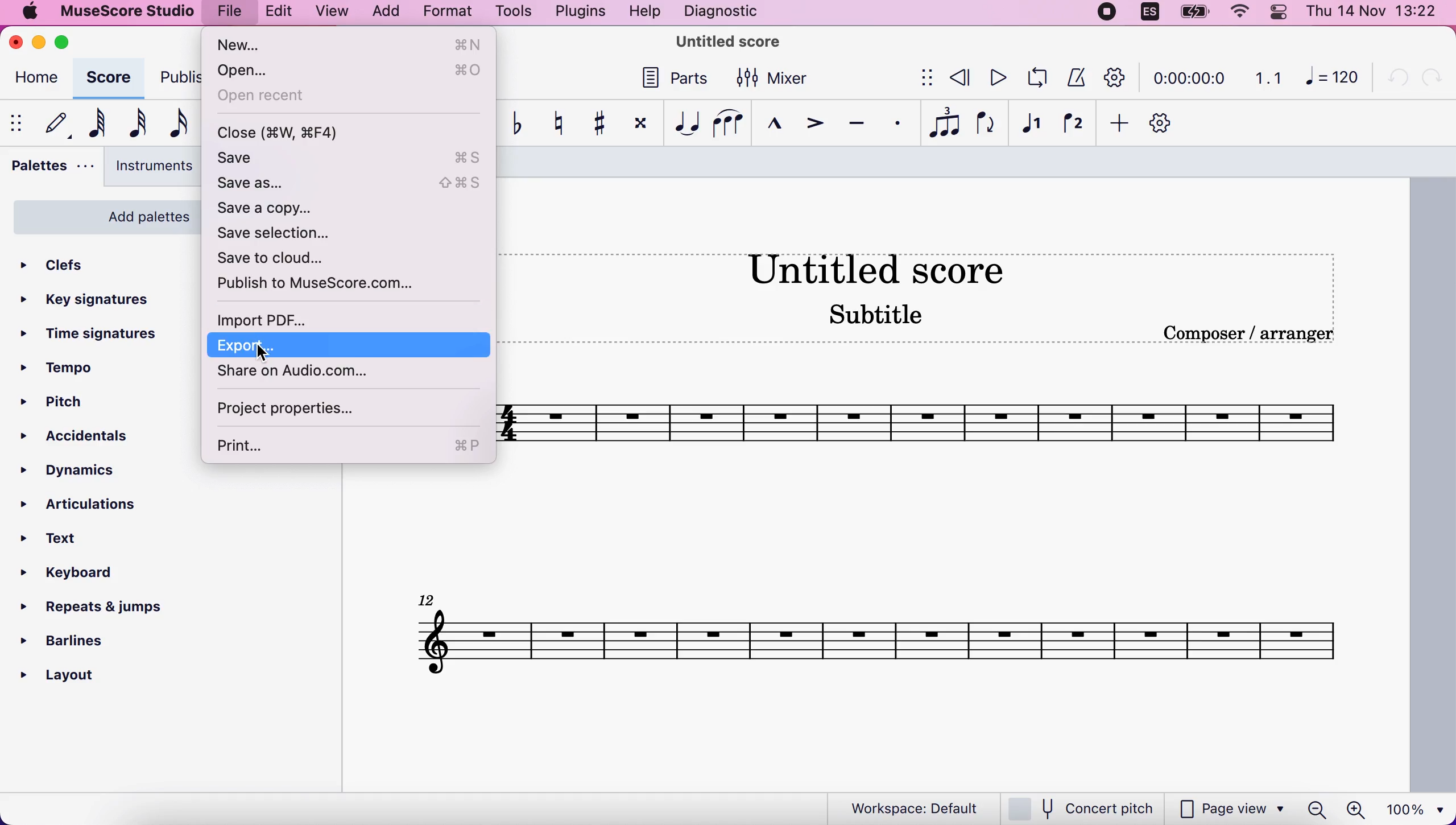 This screenshot has height=825, width=1456. Describe the element at coordinates (94, 125) in the screenshot. I see `64th note` at that location.